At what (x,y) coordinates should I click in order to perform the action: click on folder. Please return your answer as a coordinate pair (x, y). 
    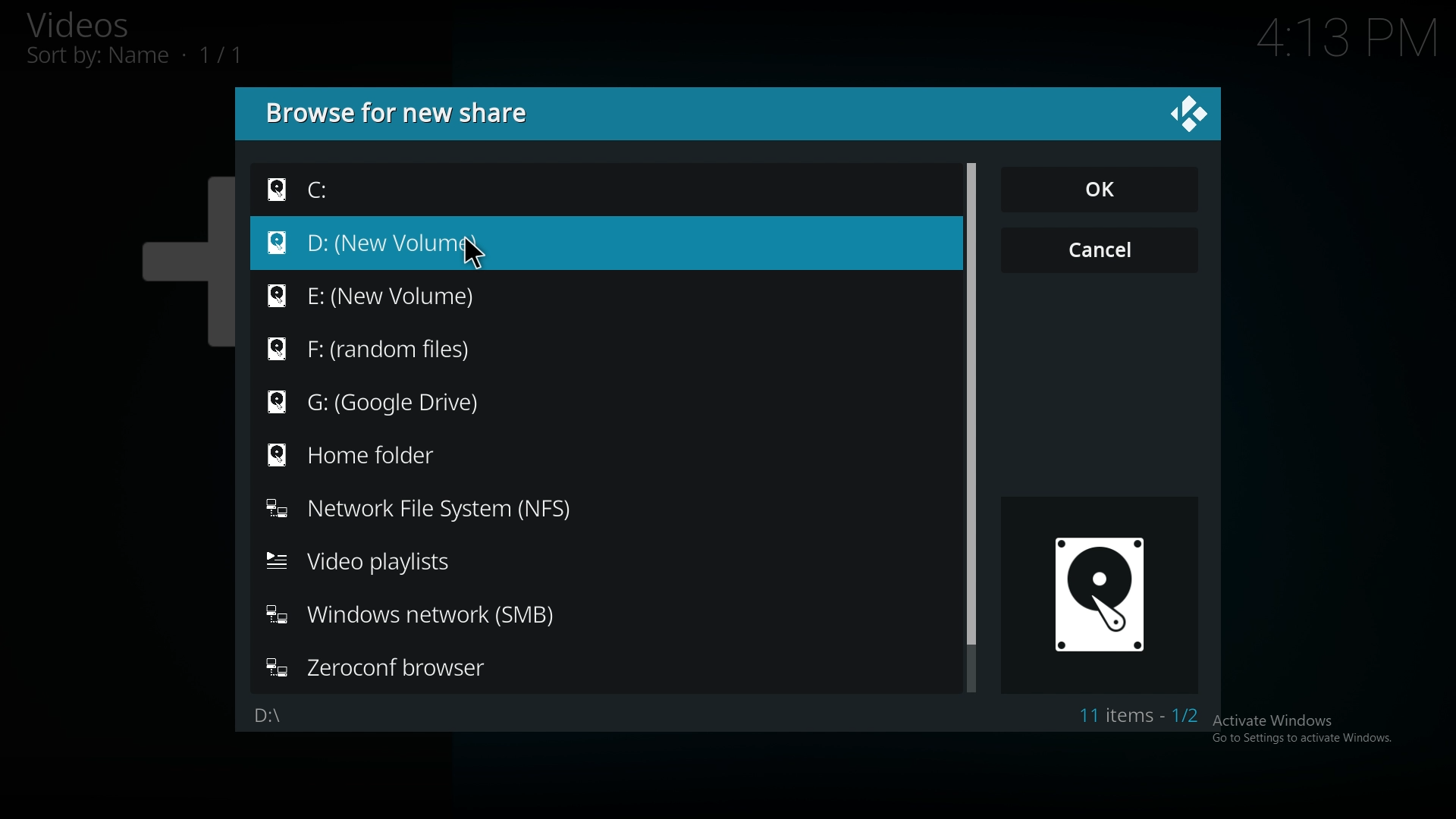
    Looking at the image, I should click on (392, 404).